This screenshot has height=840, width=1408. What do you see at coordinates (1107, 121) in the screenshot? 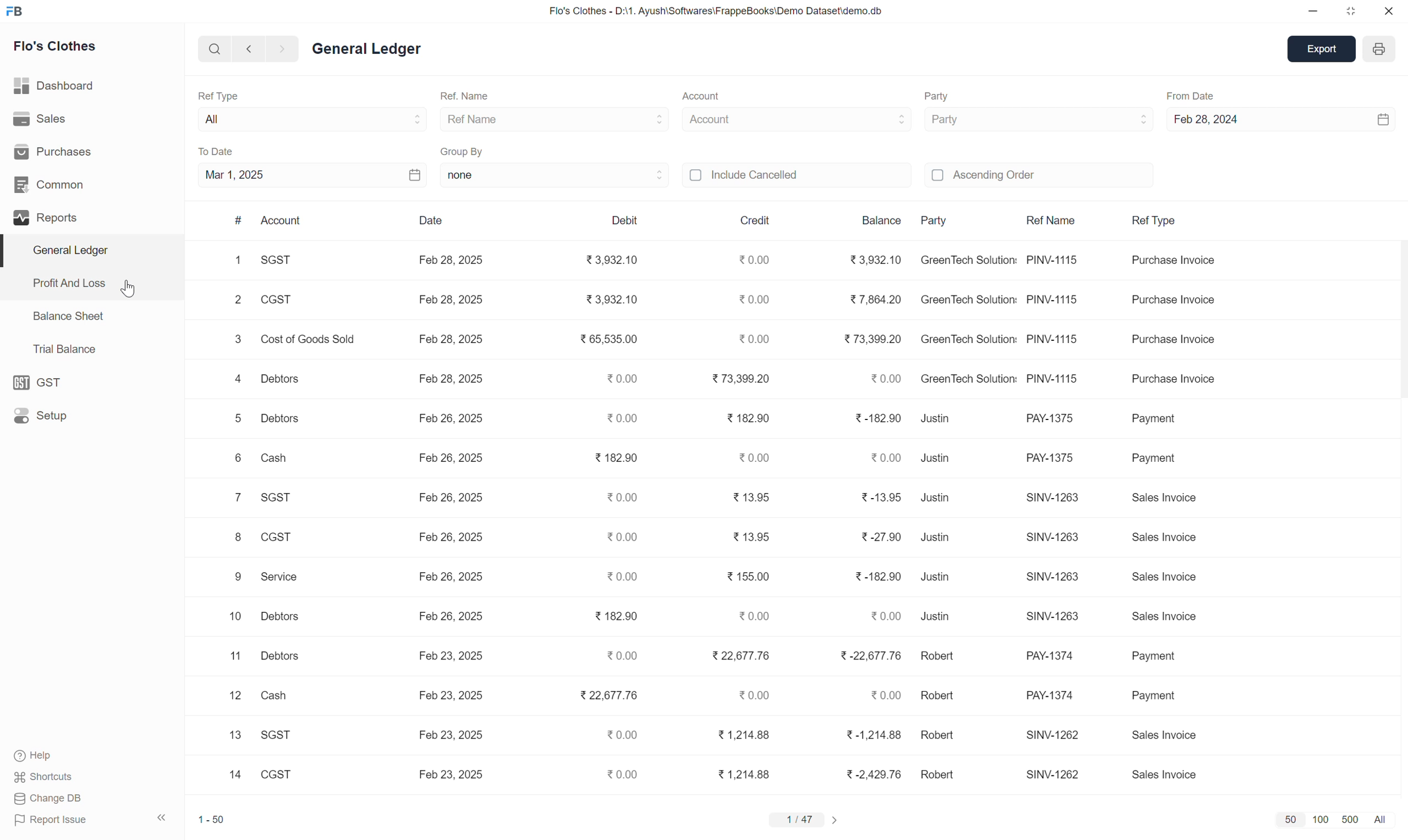
I see `Party dropdown` at bounding box center [1107, 121].